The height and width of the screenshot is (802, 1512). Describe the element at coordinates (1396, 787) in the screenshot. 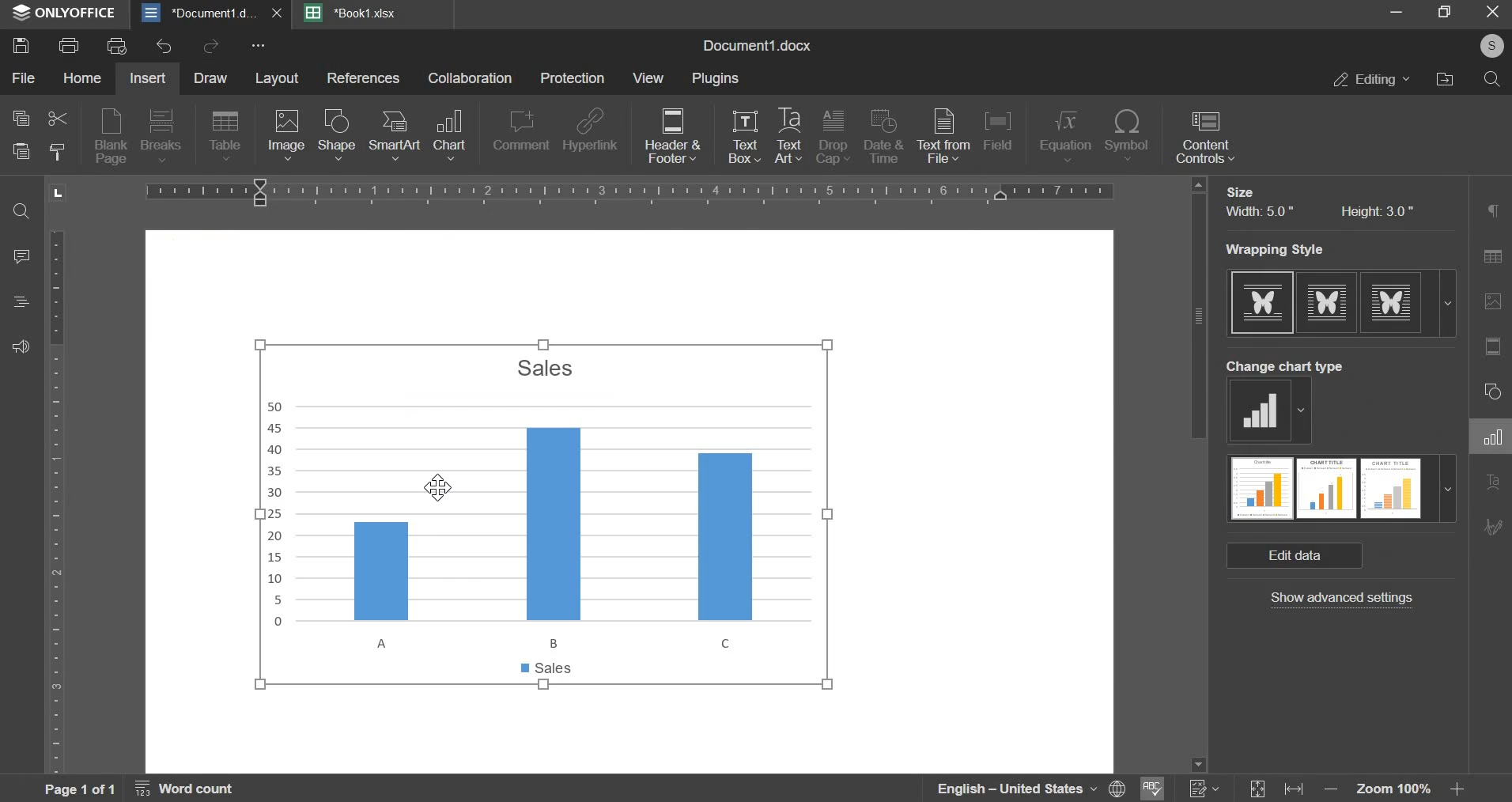

I see `zoom` at that location.